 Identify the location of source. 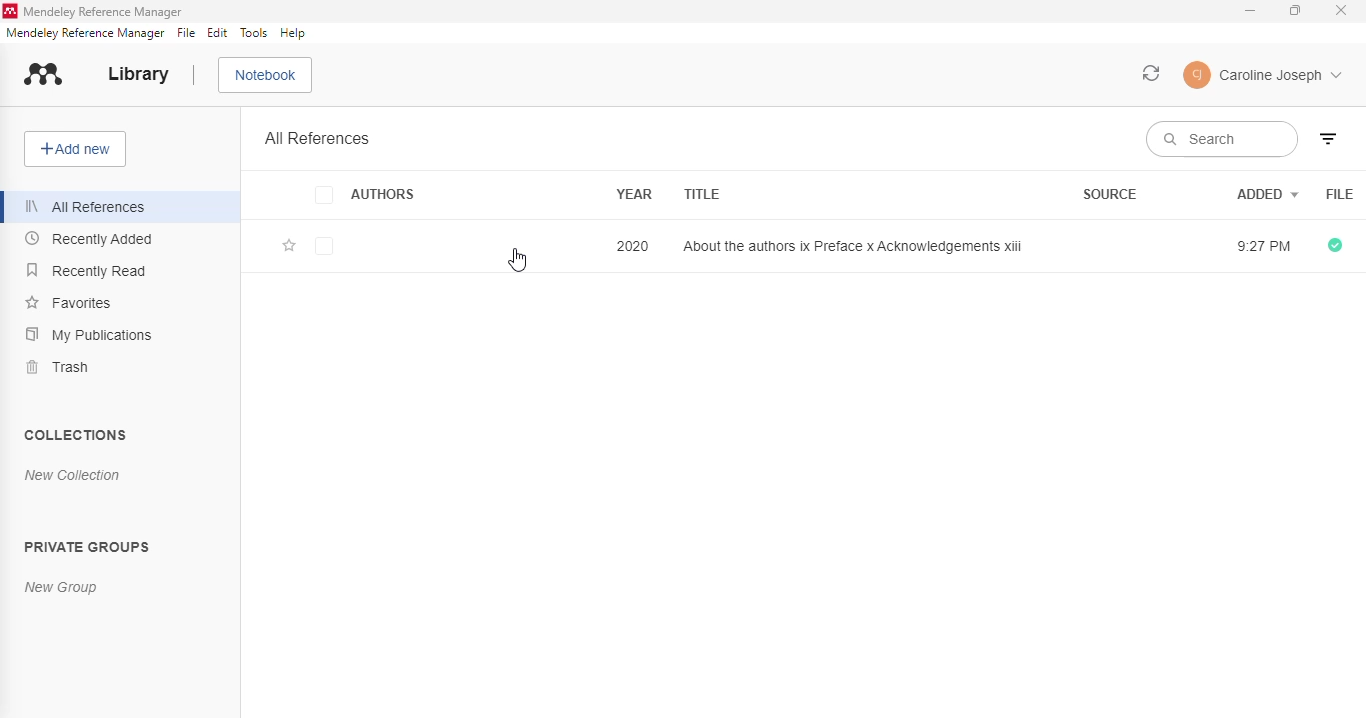
(1110, 193).